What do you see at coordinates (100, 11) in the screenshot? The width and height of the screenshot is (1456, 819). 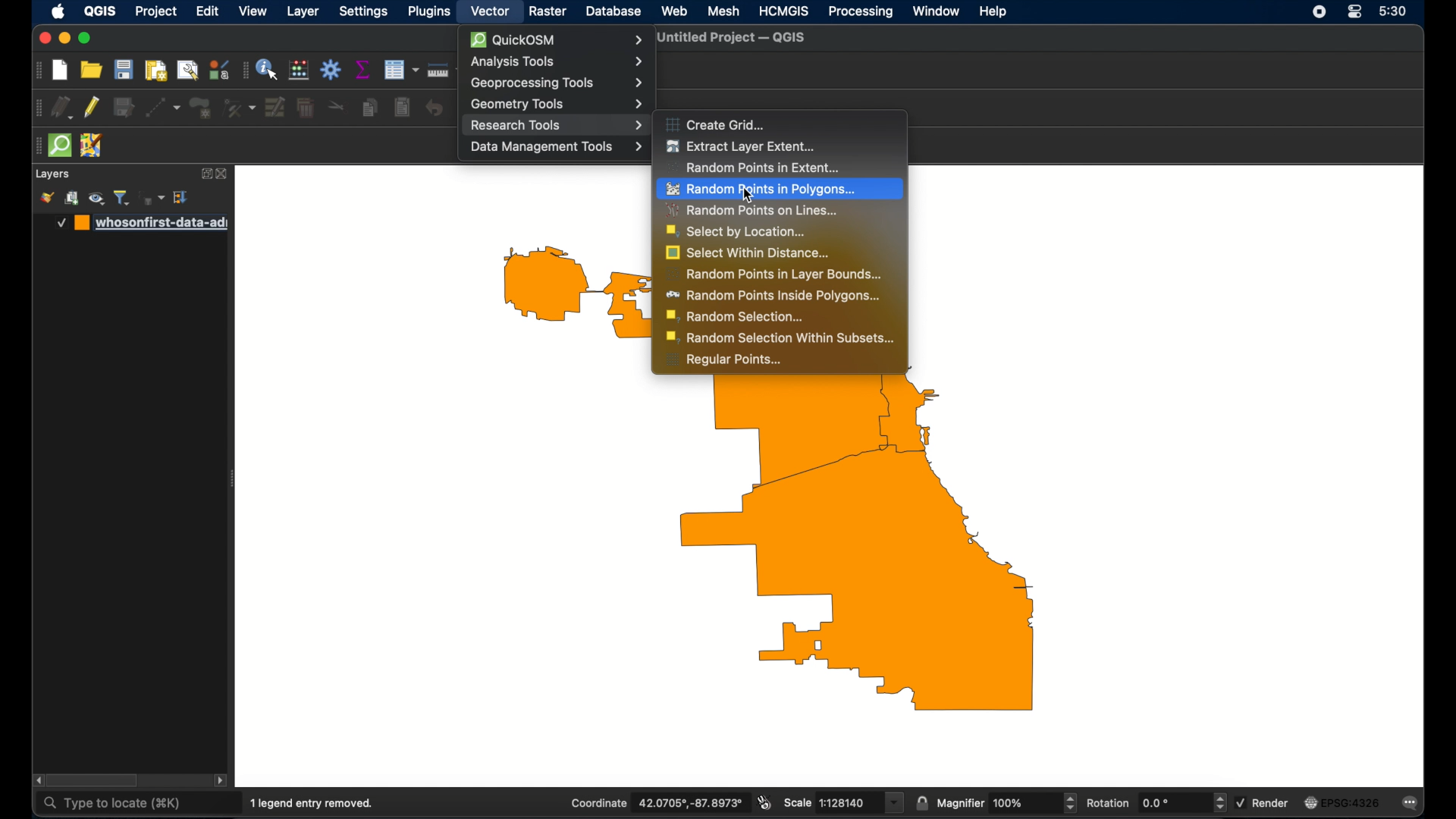 I see `QGIS` at bounding box center [100, 11].